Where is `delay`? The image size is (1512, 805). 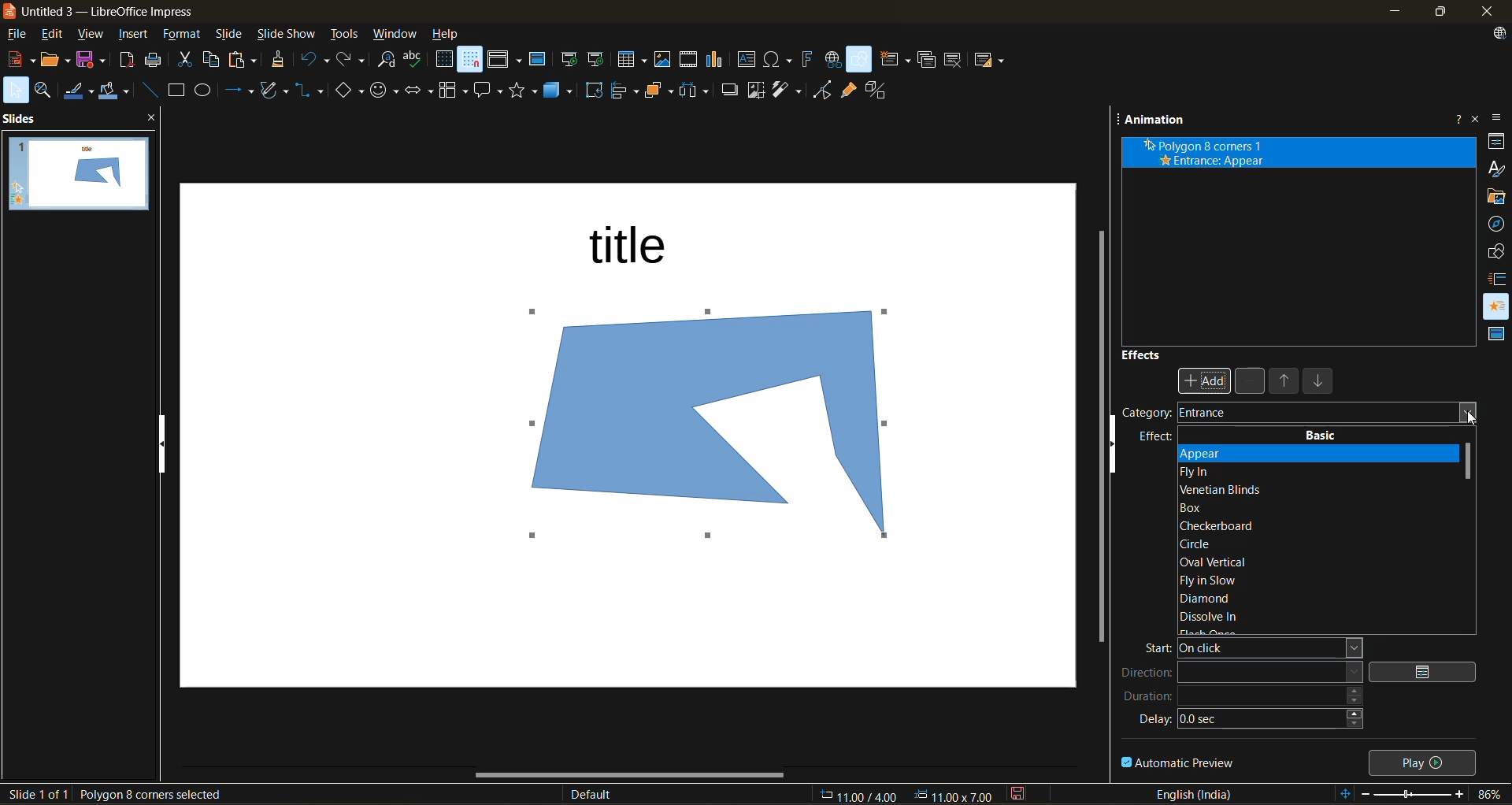
delay is located at coordinates (1246, 720).